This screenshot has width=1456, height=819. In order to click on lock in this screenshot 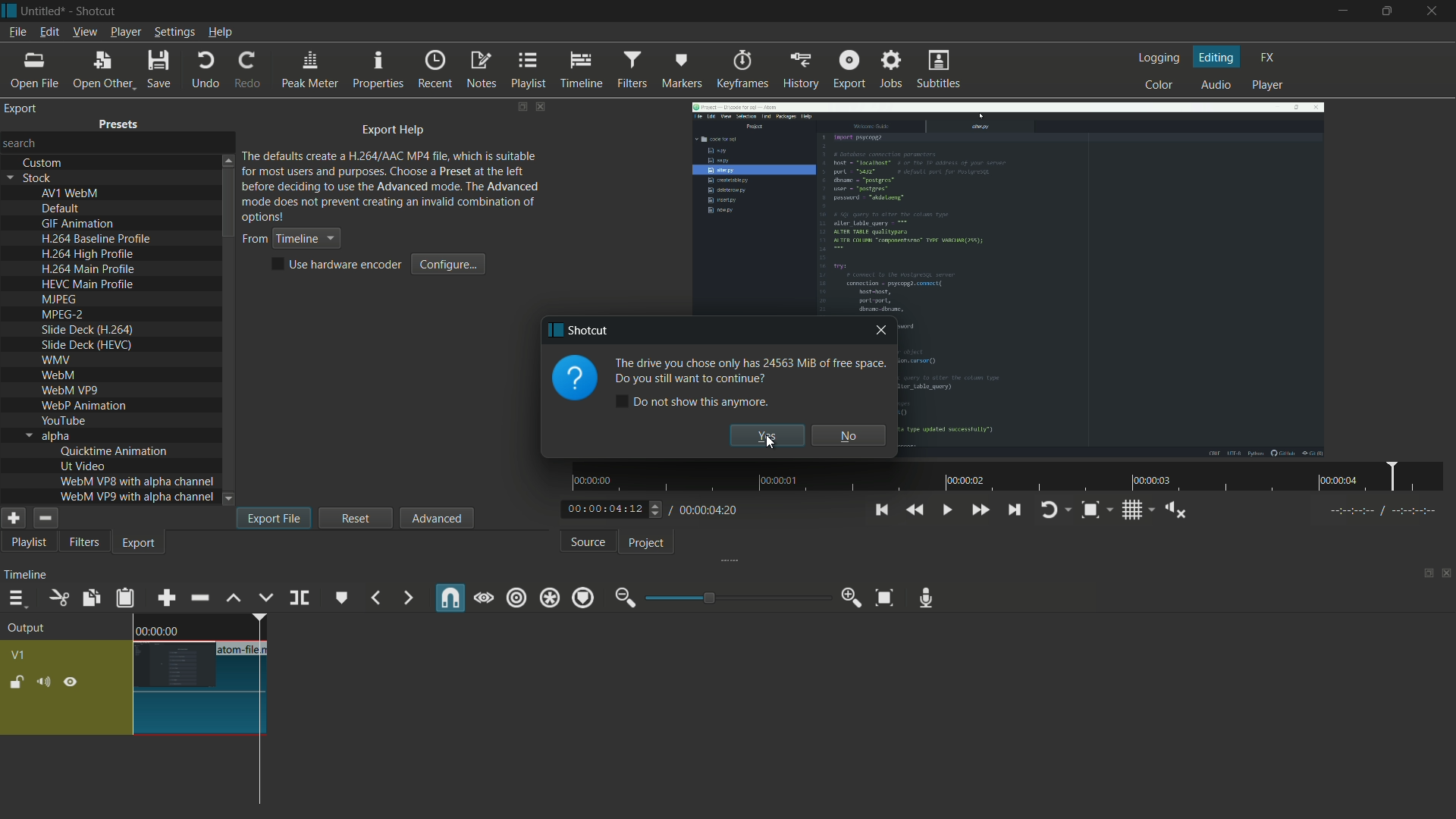, I will do `click(17, 682)`.